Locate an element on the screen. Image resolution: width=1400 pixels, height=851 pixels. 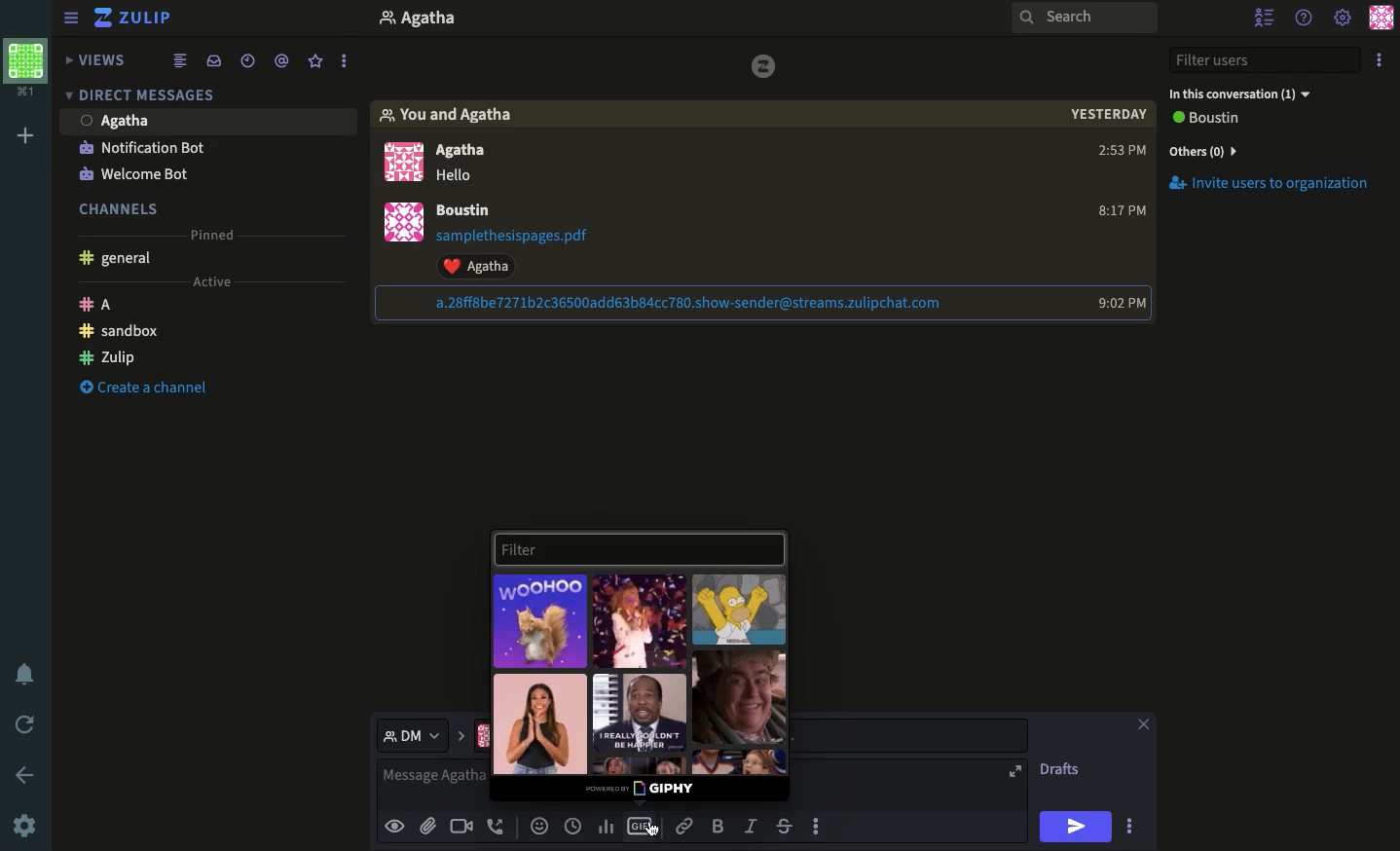
Feed is located at coordinates (186, 61).